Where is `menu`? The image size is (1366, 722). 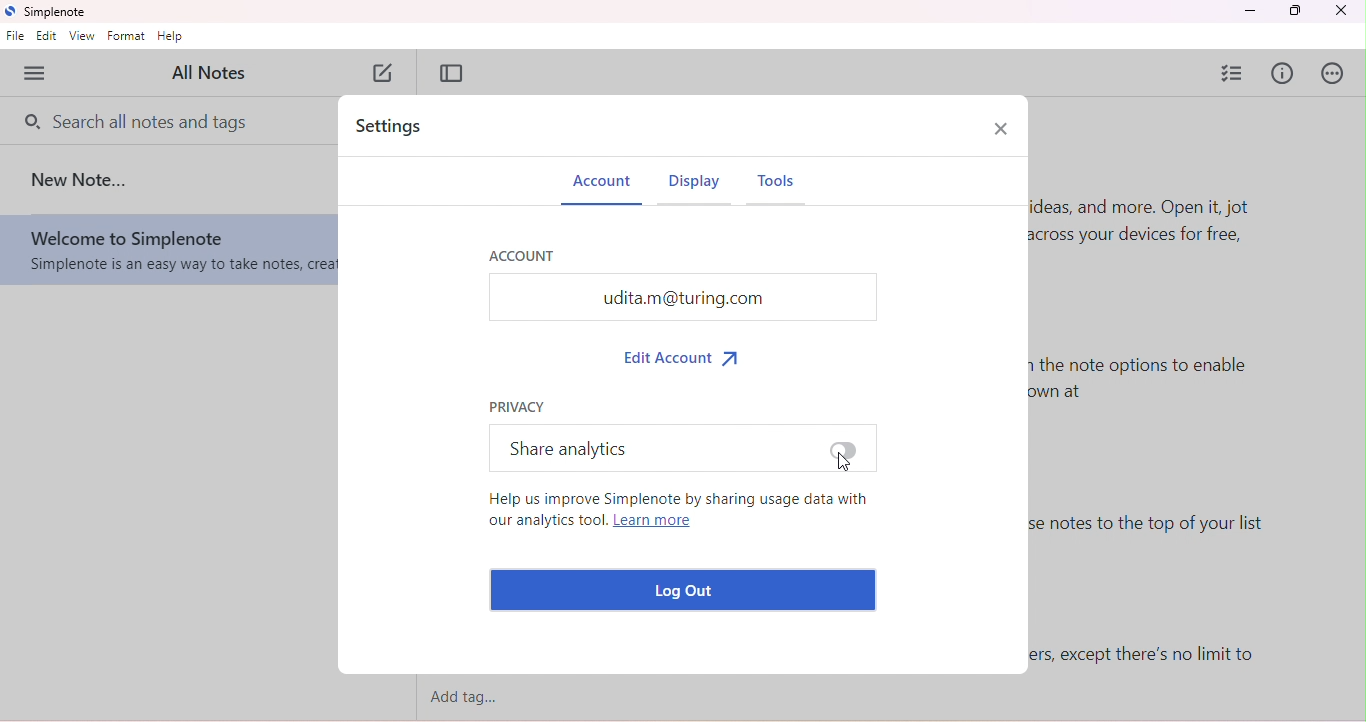 menu is located at coordinates (37, 74).